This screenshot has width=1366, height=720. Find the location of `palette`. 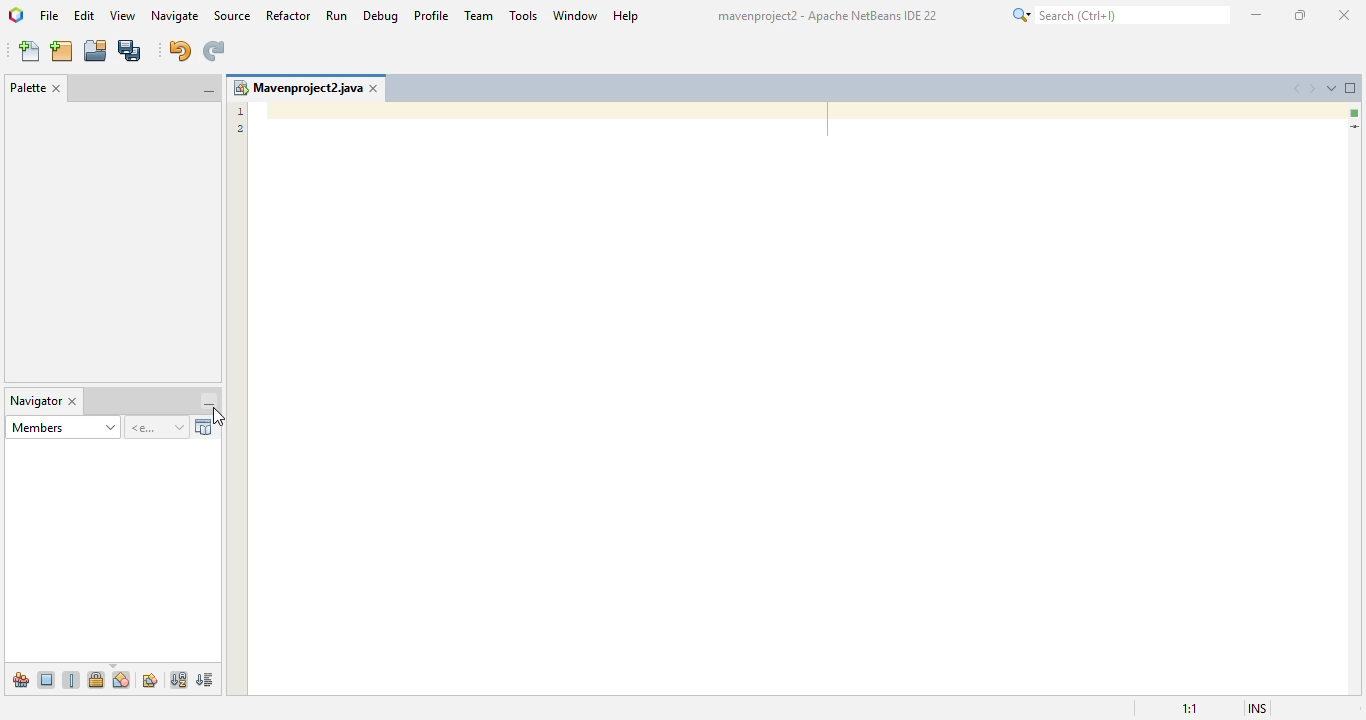

palette is located at coordinates (28, 87).